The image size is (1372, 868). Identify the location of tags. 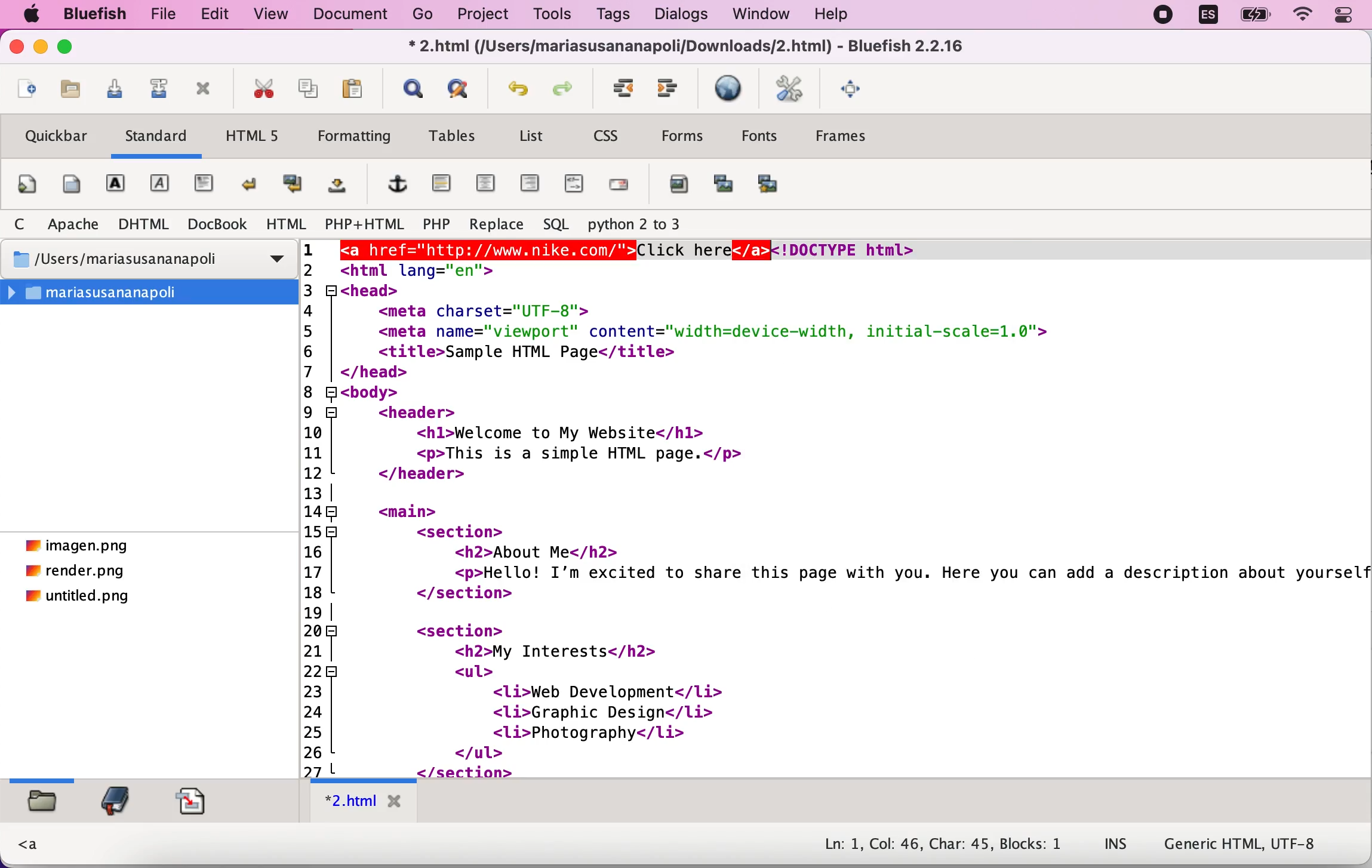
(614, 16).